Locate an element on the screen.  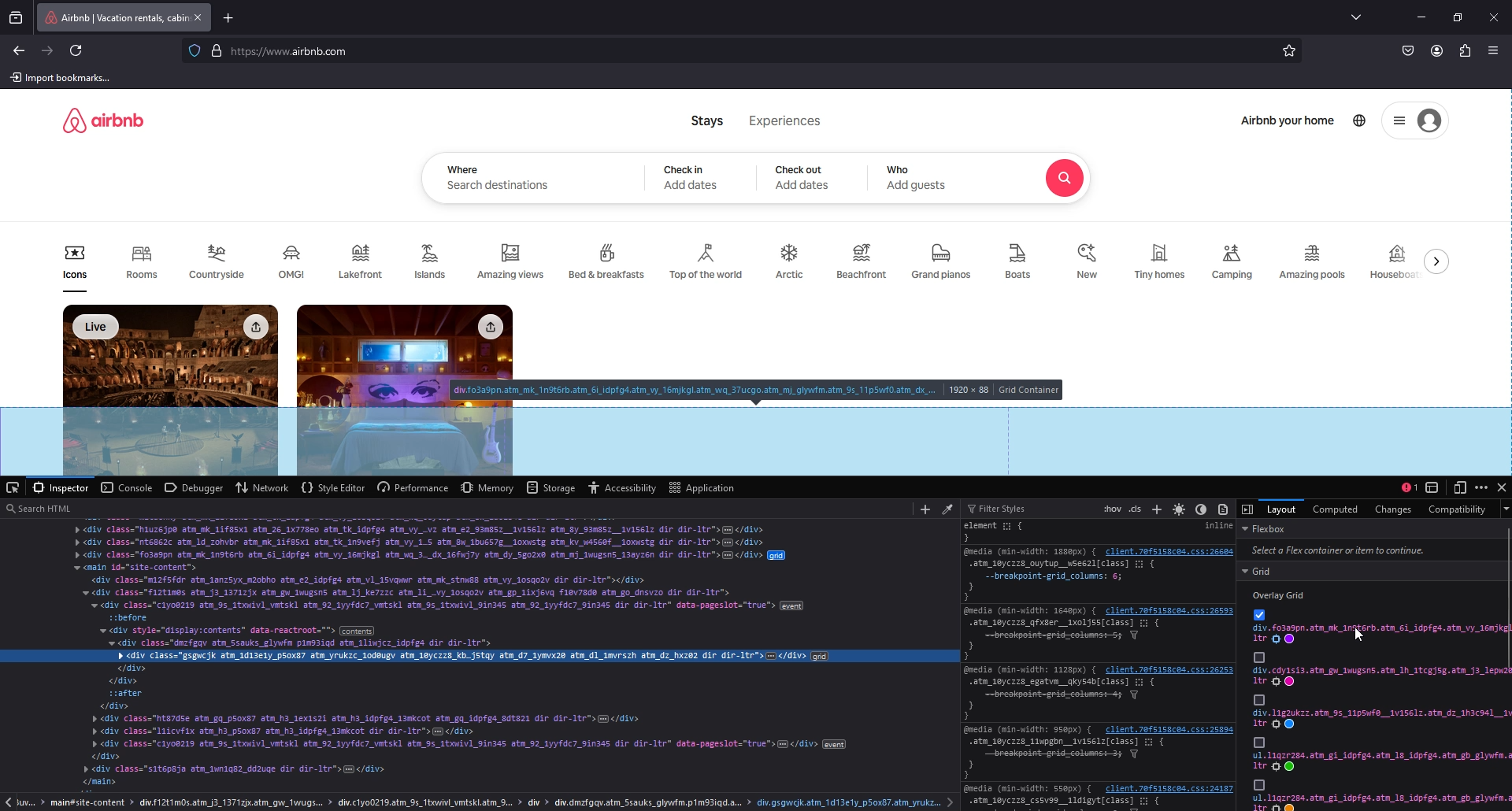
profile is located at coordinates (1436, 51).